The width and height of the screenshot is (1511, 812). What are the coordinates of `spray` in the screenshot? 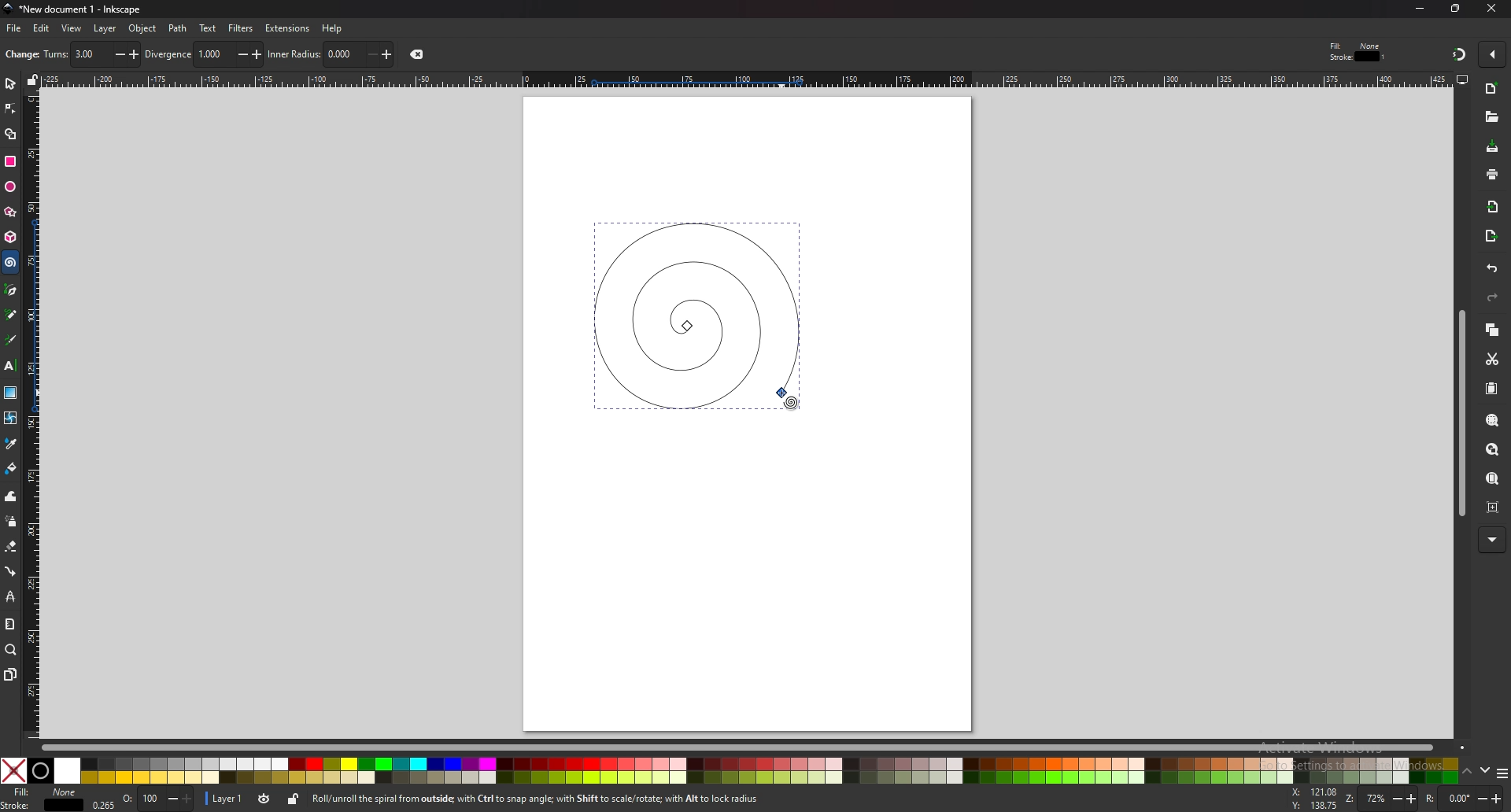 It's located at (11, 522).